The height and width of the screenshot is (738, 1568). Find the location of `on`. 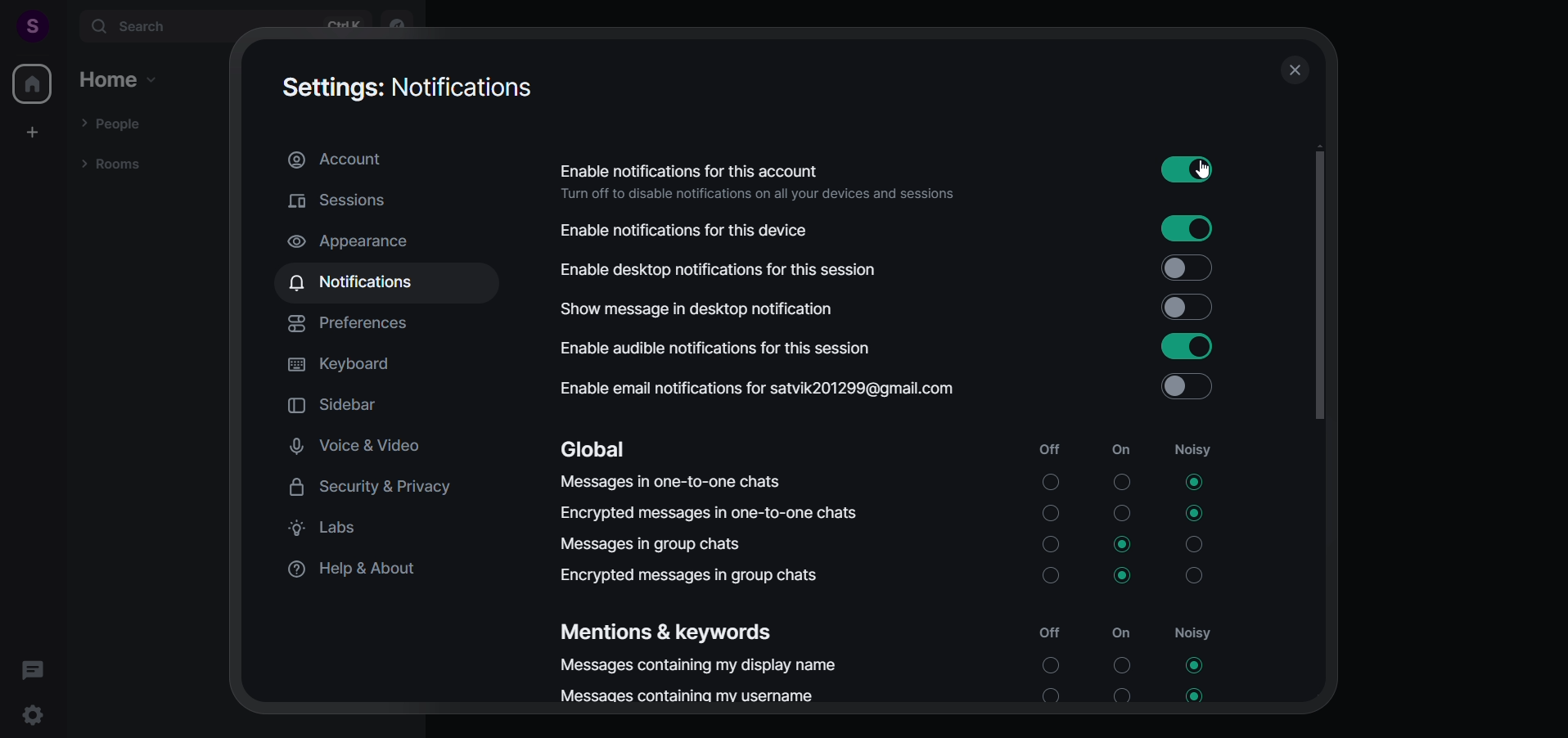

on is located at coordinates (1121, 452).